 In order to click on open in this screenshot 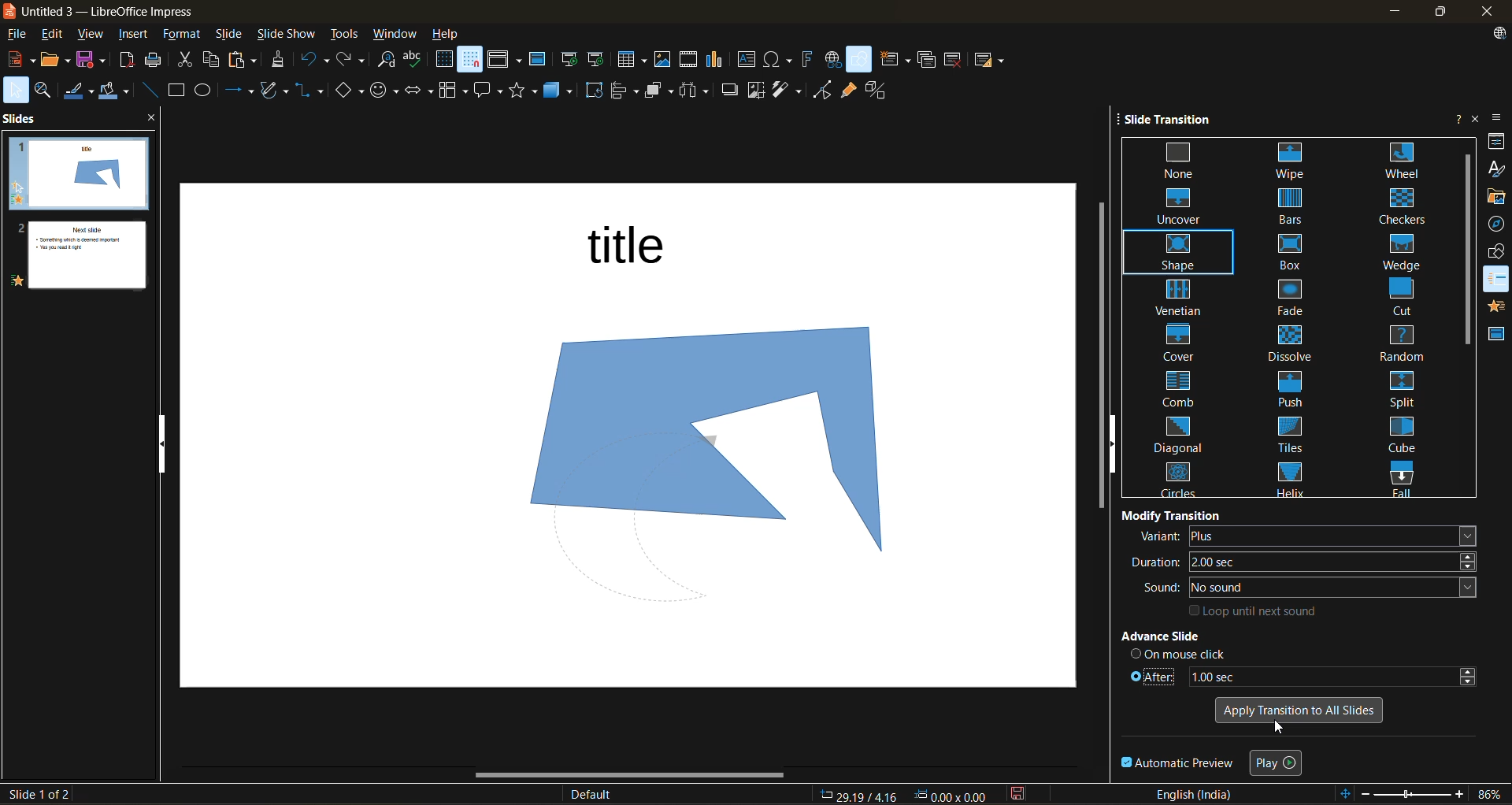, I will do `click(56, 63)`.